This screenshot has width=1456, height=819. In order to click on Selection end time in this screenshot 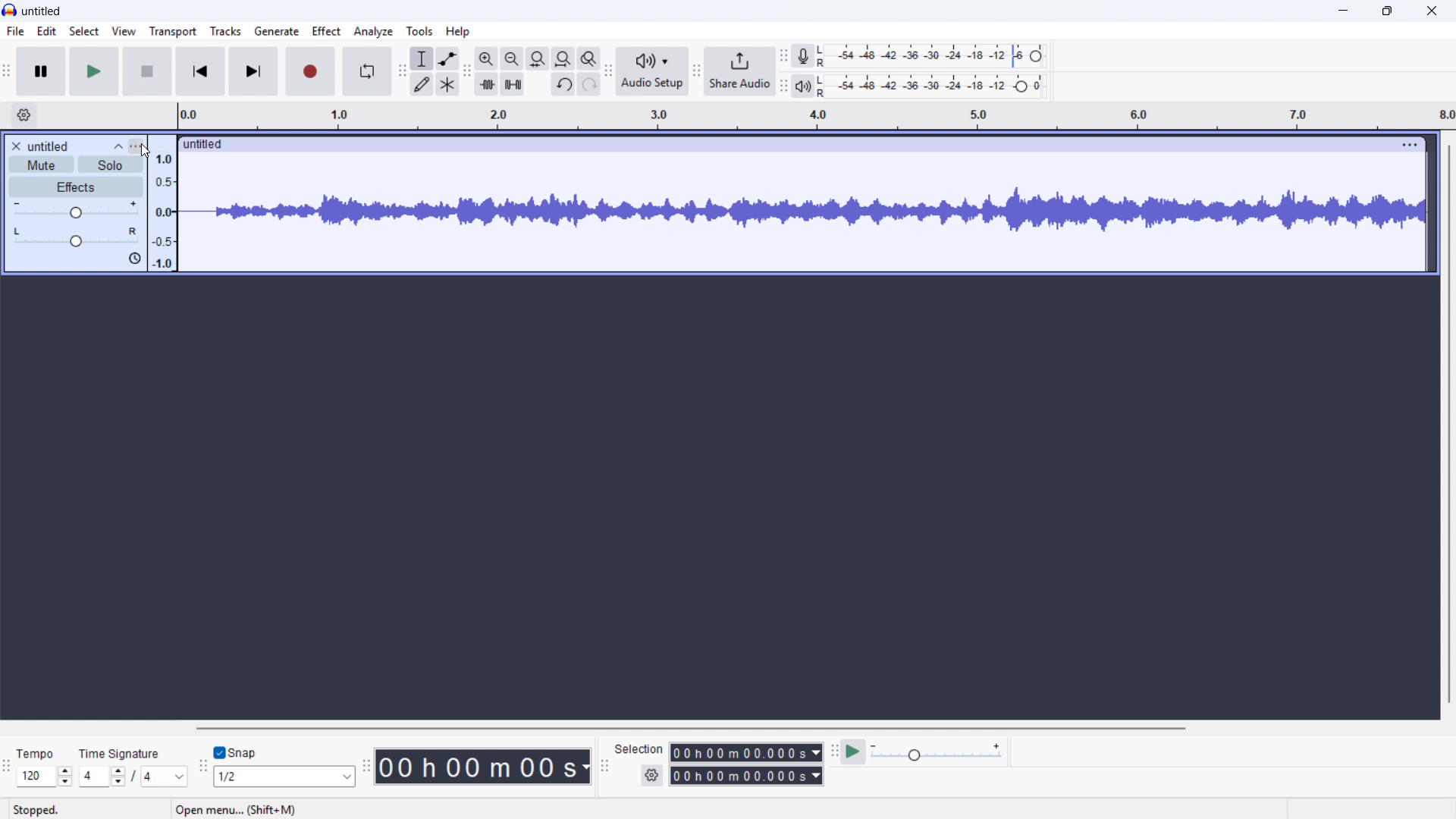, I will do `click(745, 776)`.